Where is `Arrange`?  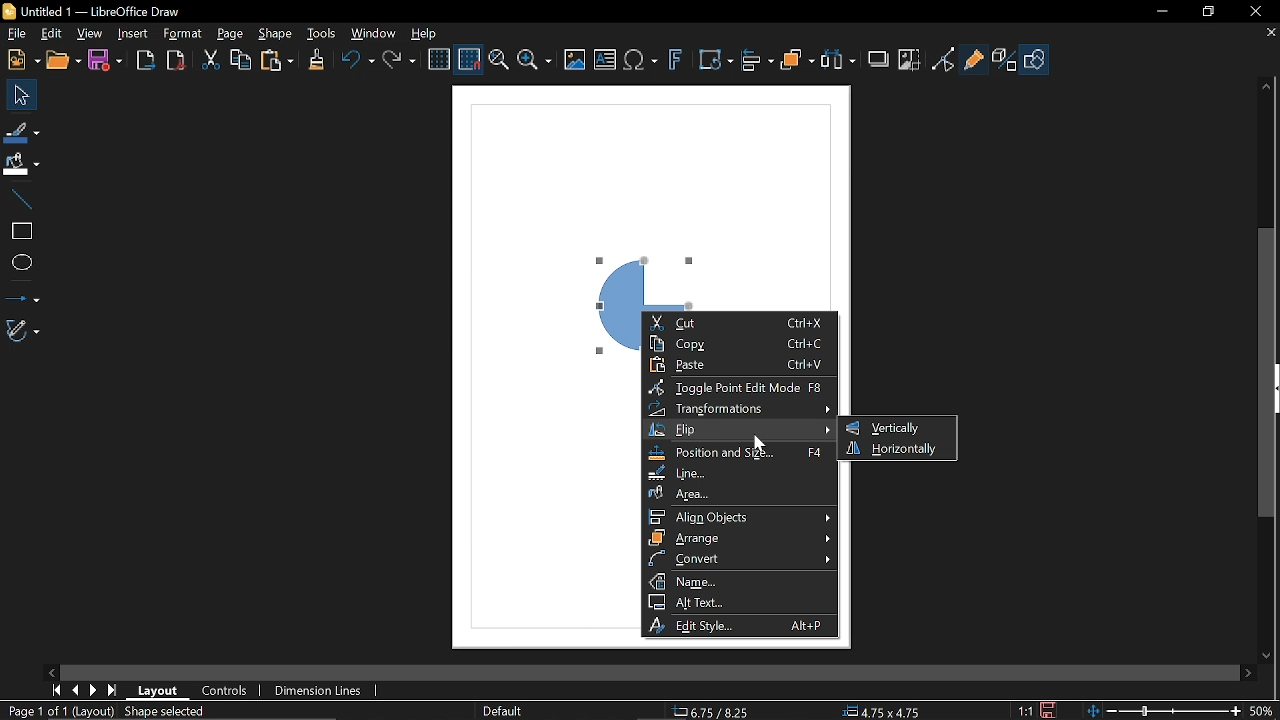
Arrange is located at coordinates (799, 61).